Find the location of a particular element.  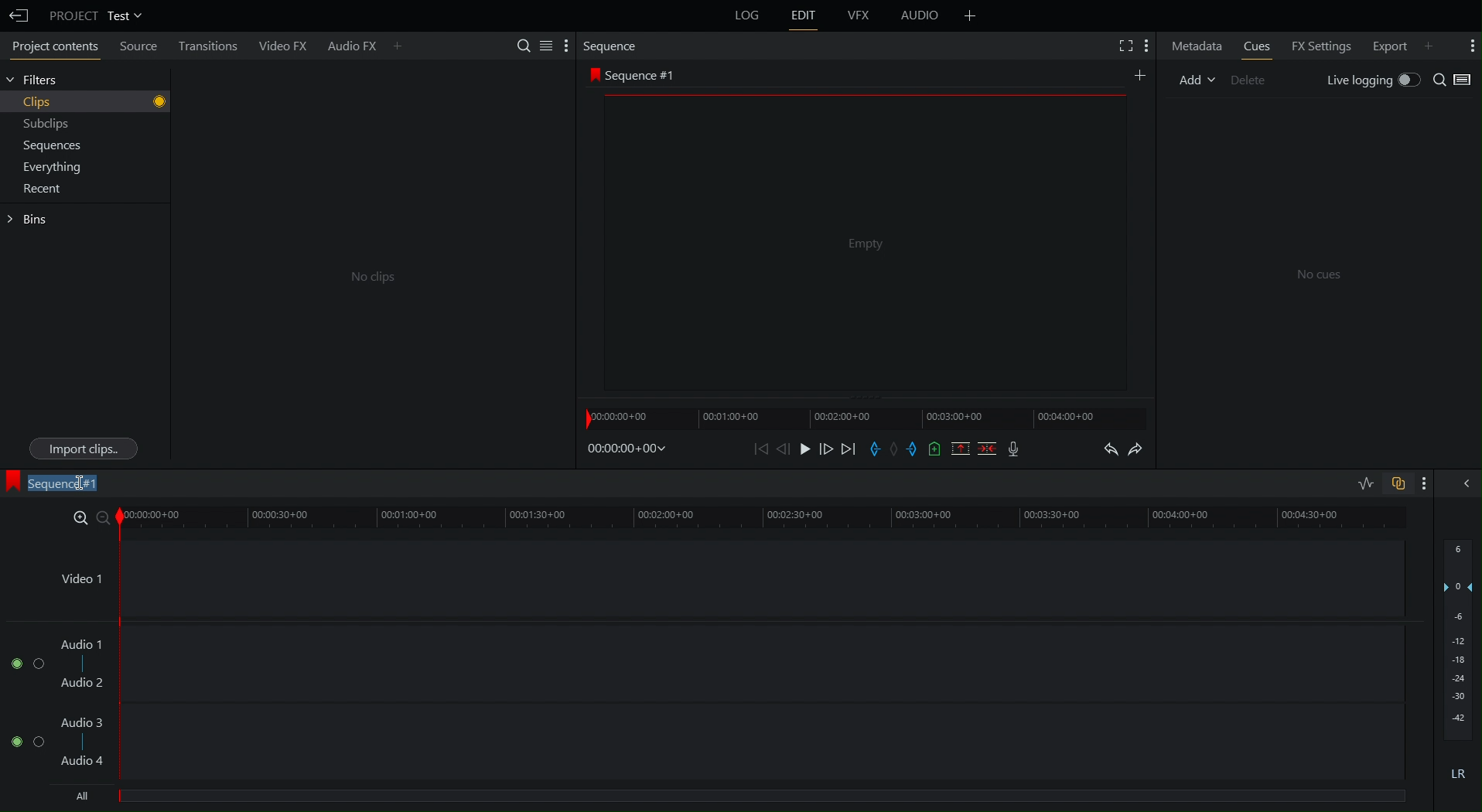

Log is located at coordinates (746, 19).